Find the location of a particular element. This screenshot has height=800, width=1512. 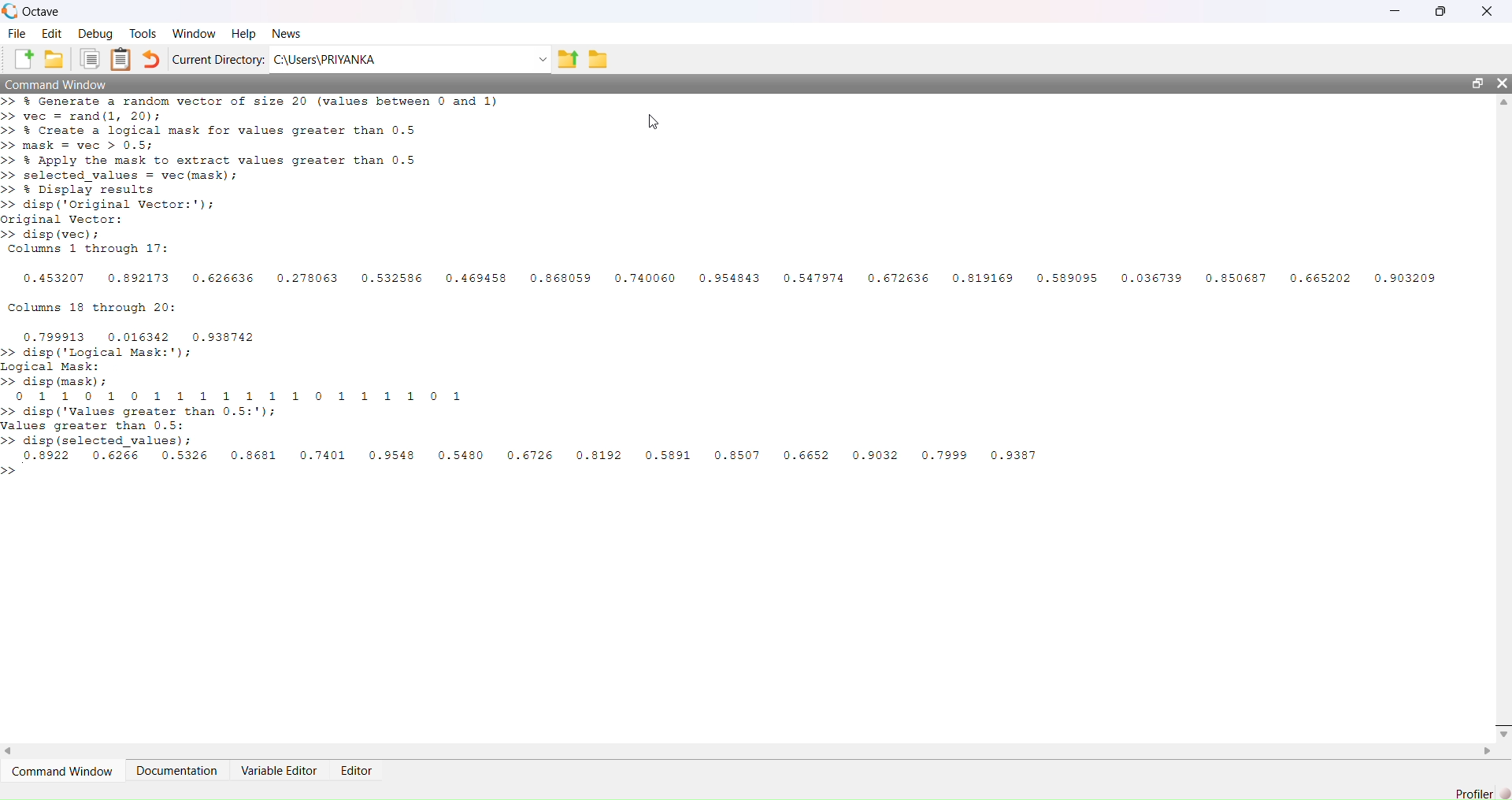

Clipboard is located at coordinates (123, 59).